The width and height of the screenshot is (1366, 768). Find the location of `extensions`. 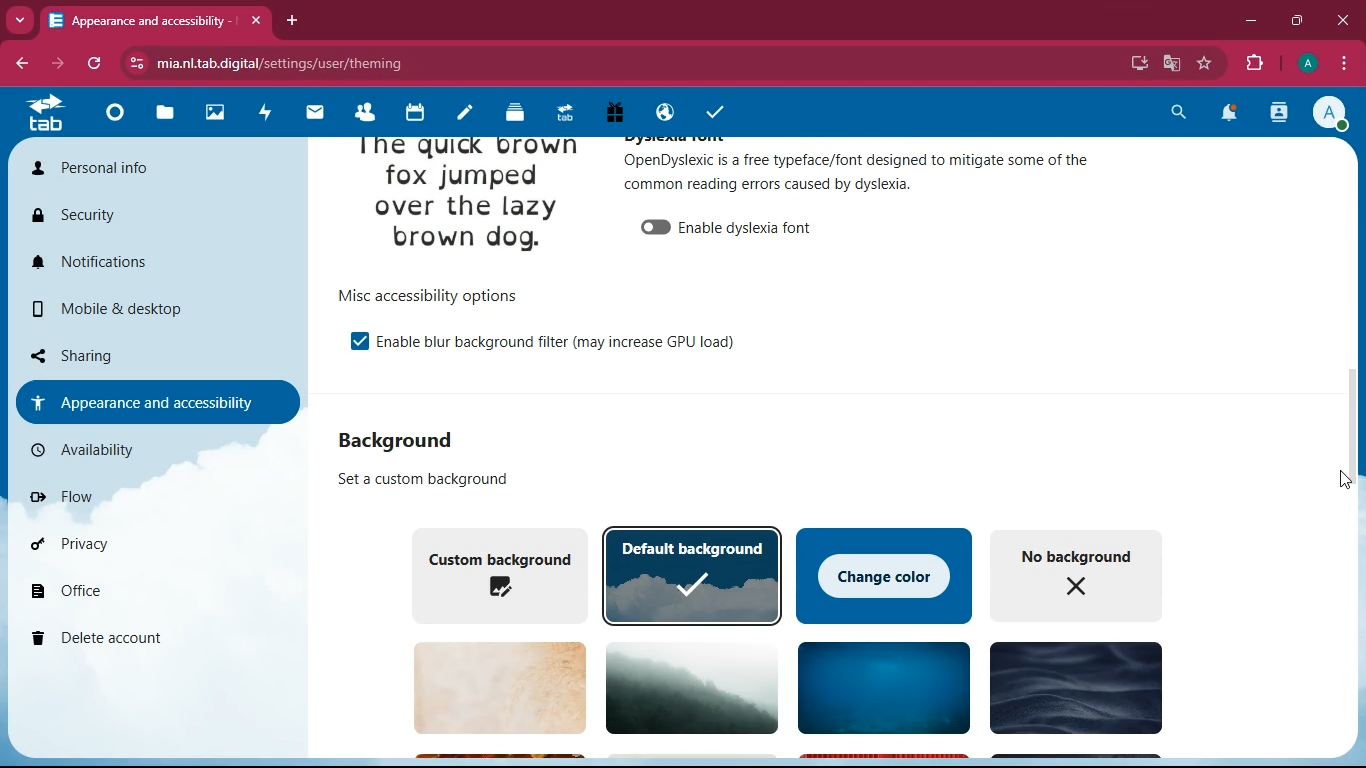

extensions is located at coordinates (1255, 64).